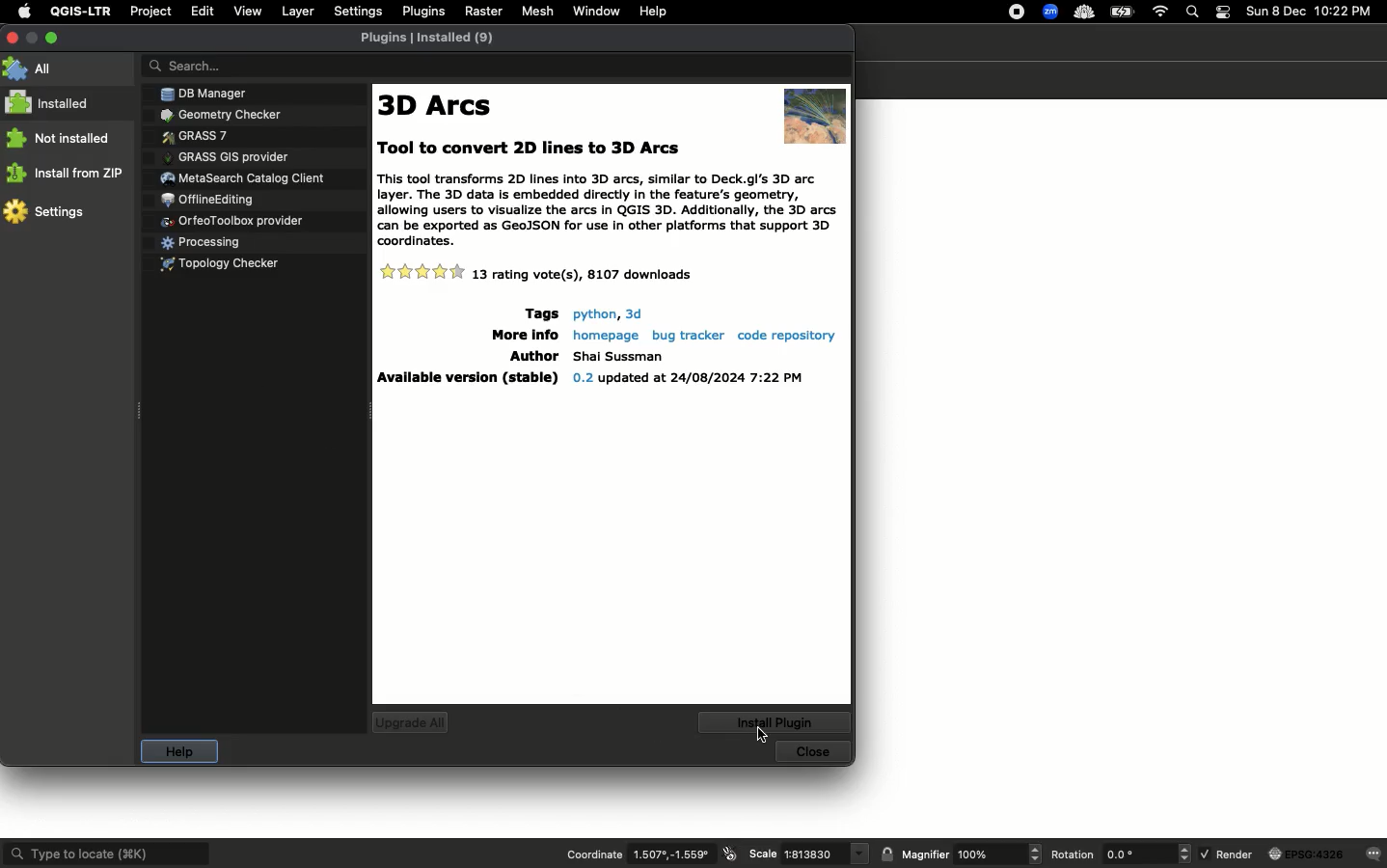  Describe the element at coordinates (779, 721) in the screenshot. I see `Install plugin` at that location.